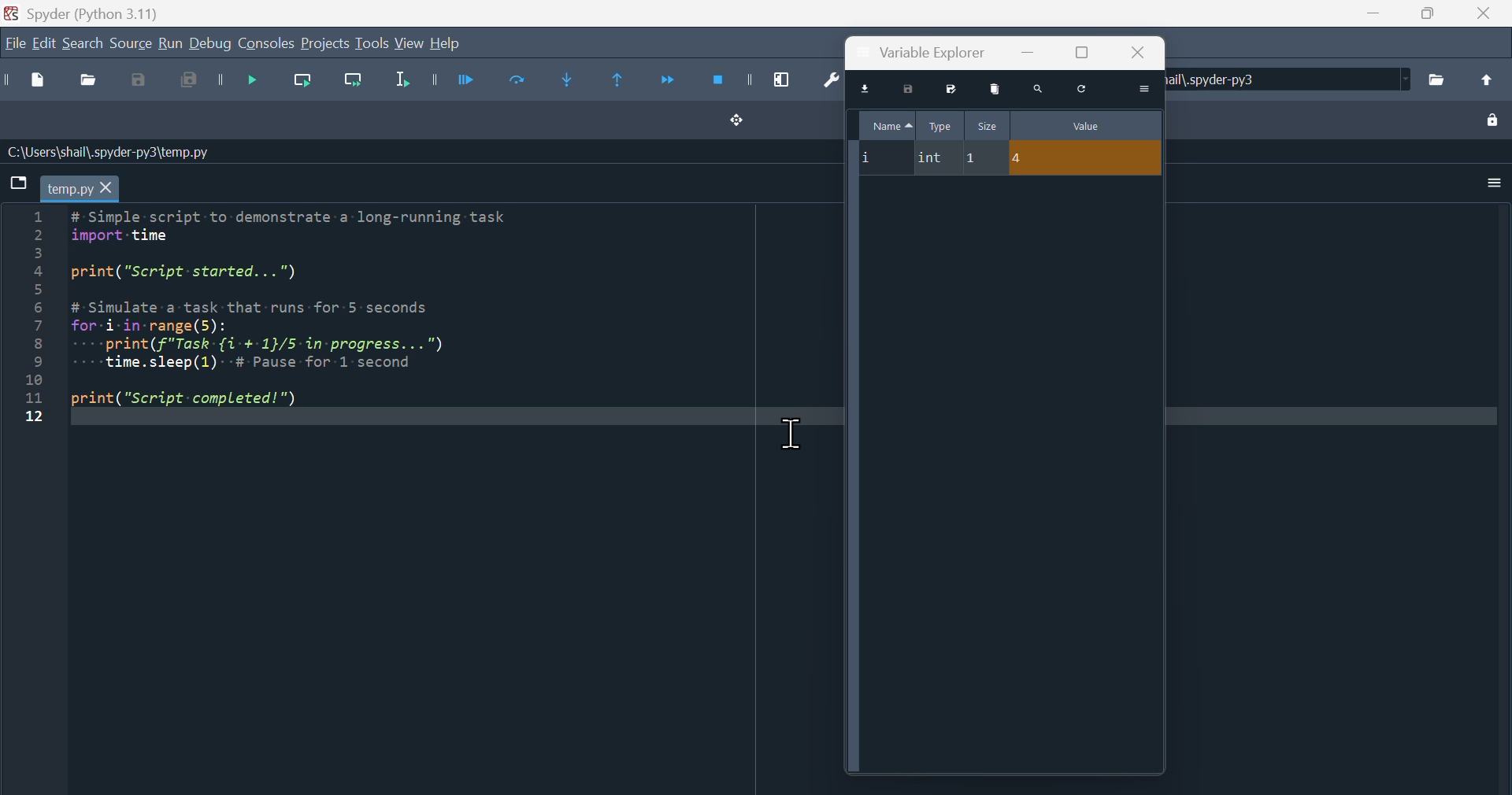 The image size is (1512, 795). I want to click on Maximise current window pane, so click(787, 79).